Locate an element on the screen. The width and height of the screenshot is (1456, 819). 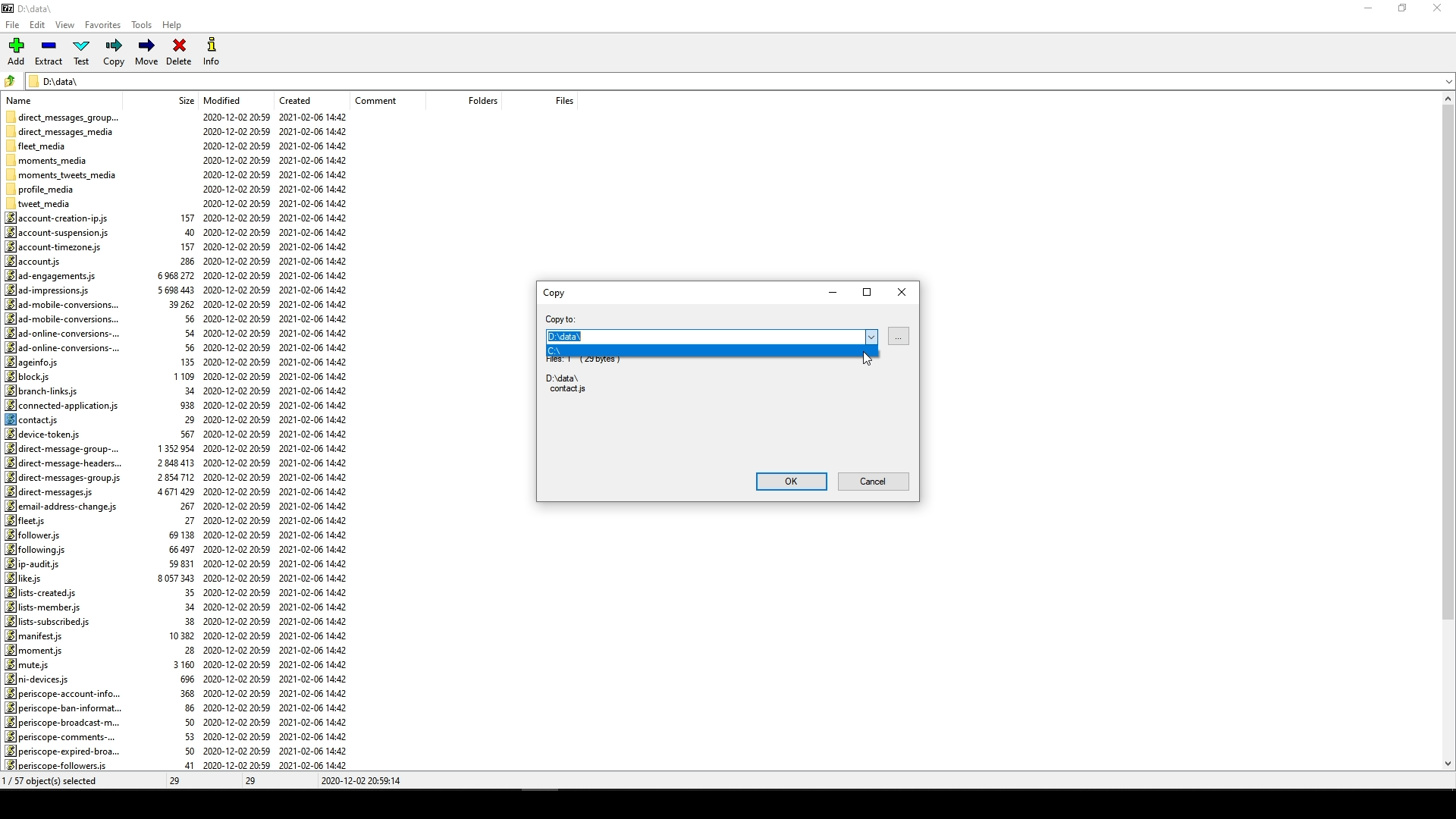
account.js is located at coordinates (38, 260).